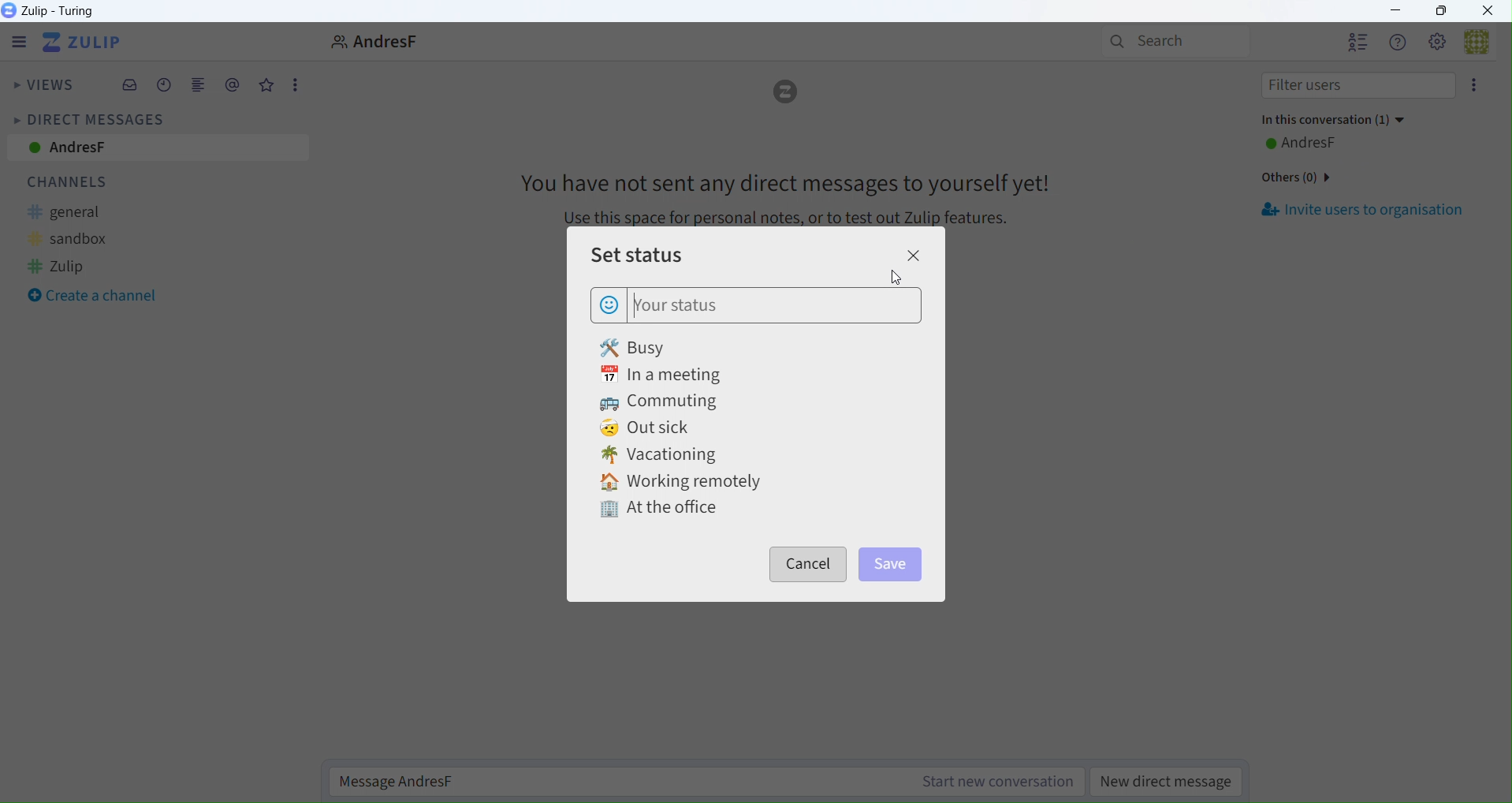  I want to click on Cancel, so click(806, 562).